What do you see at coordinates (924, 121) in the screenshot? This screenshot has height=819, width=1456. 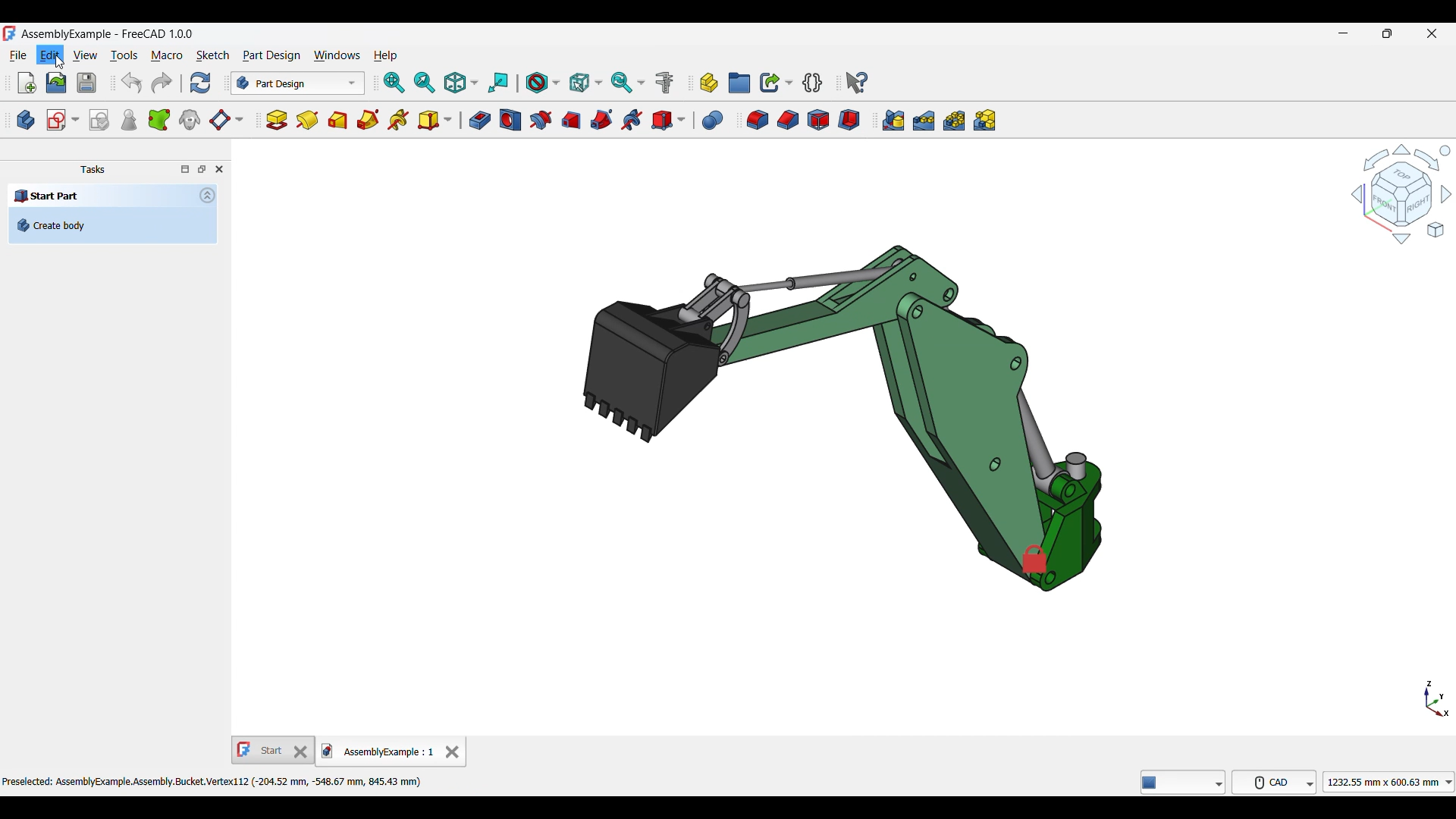 I see `Linear pattern` at bounding box center [924, 121].